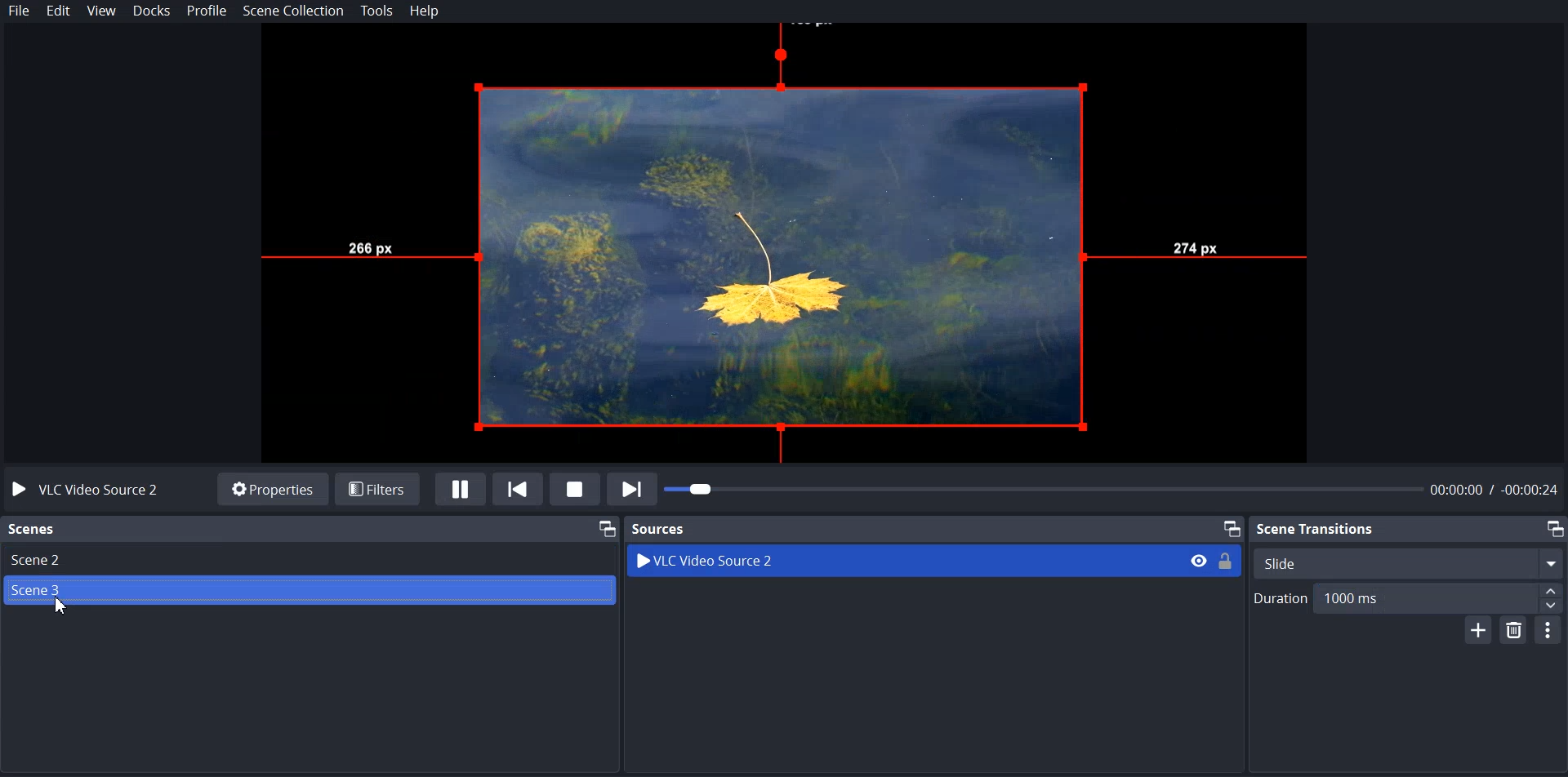 The height and width of the screenshot is (777, 1568). Describe the element at coordinates (787, 247) in the screenshot. I see `Bounding Box of file preview` at that location.